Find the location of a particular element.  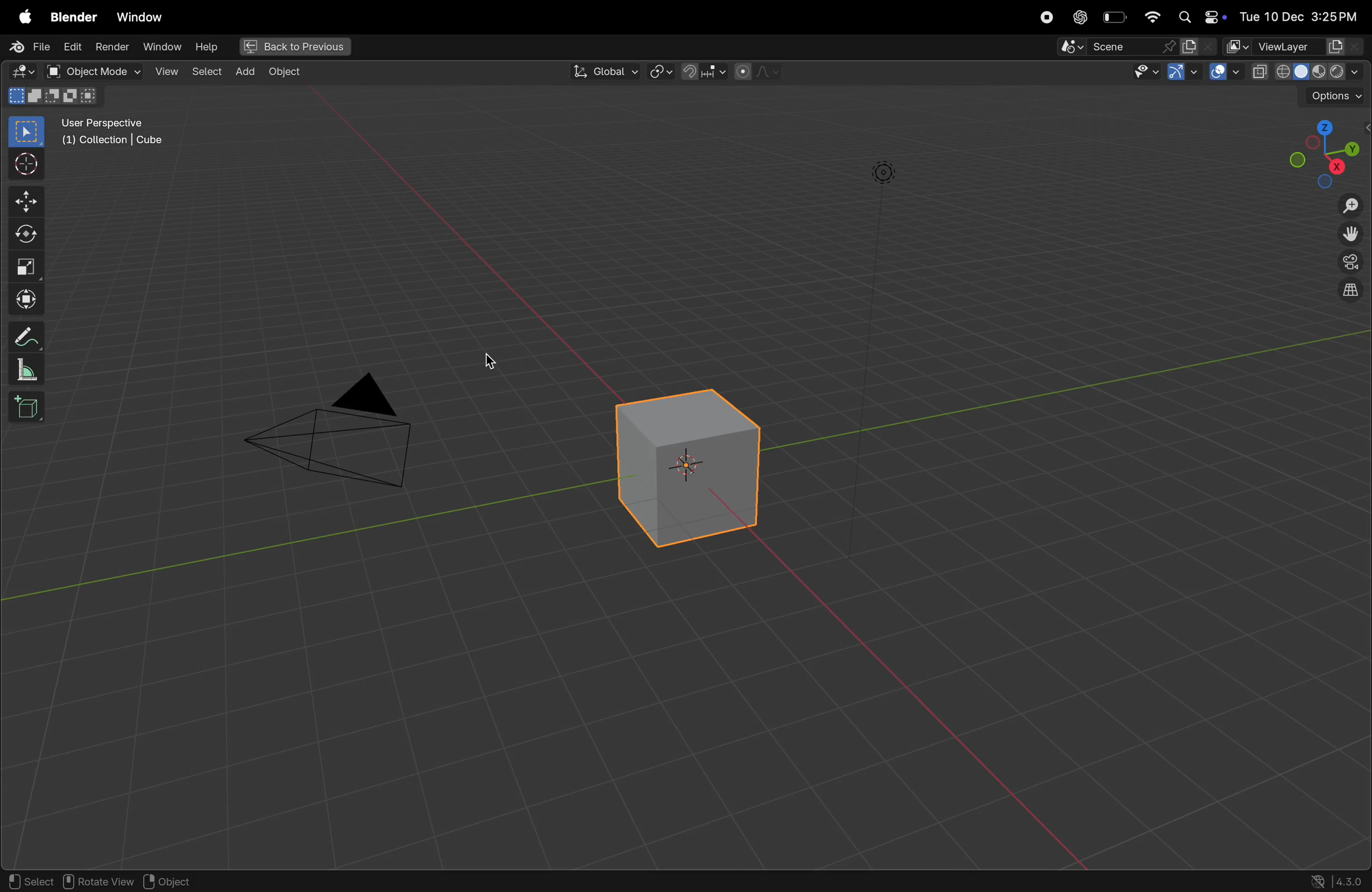

cursor is located at coordinates (24, 165).